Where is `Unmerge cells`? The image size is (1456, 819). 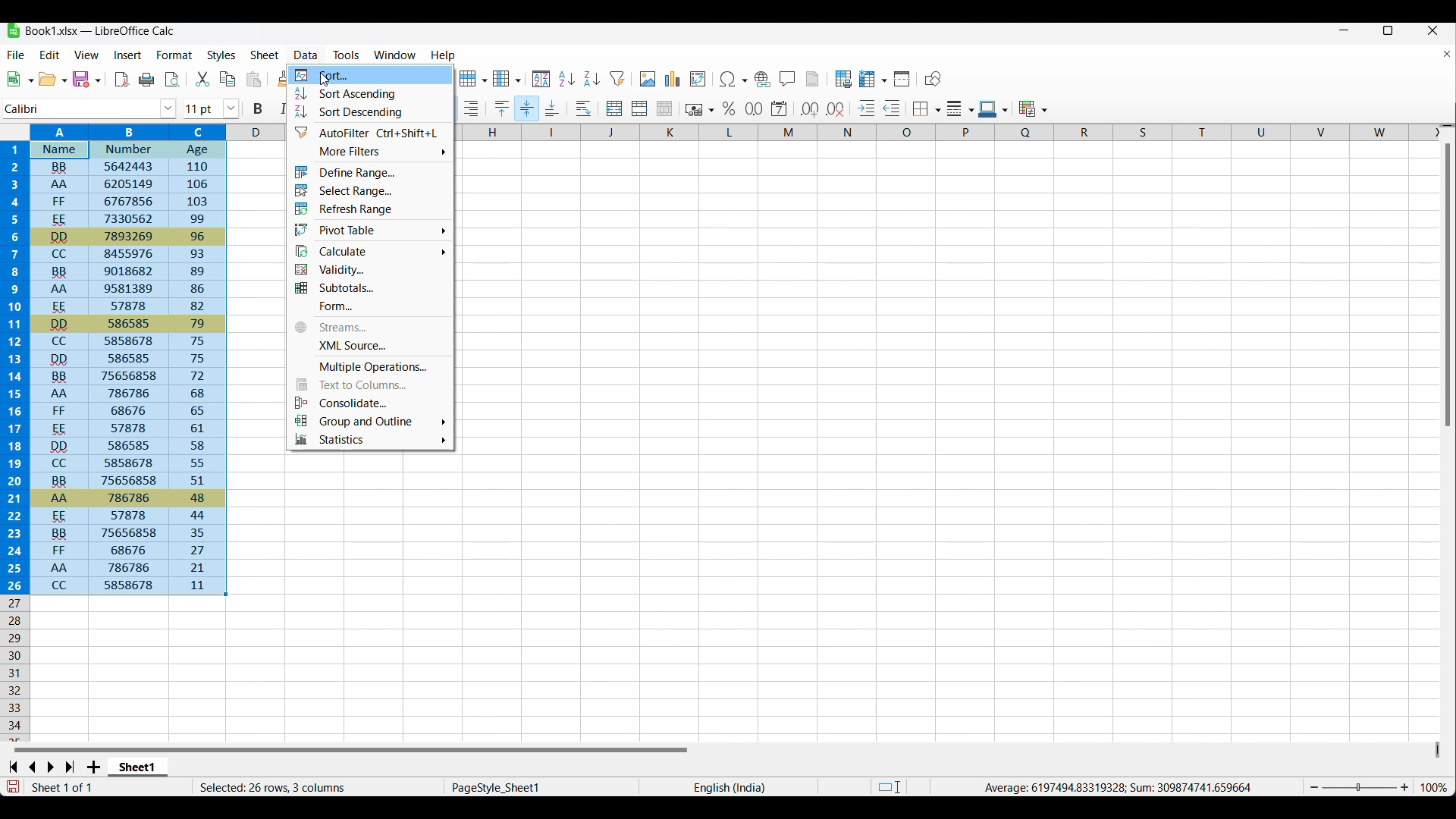 Unmerge cells is located at coordinates (665, 108).